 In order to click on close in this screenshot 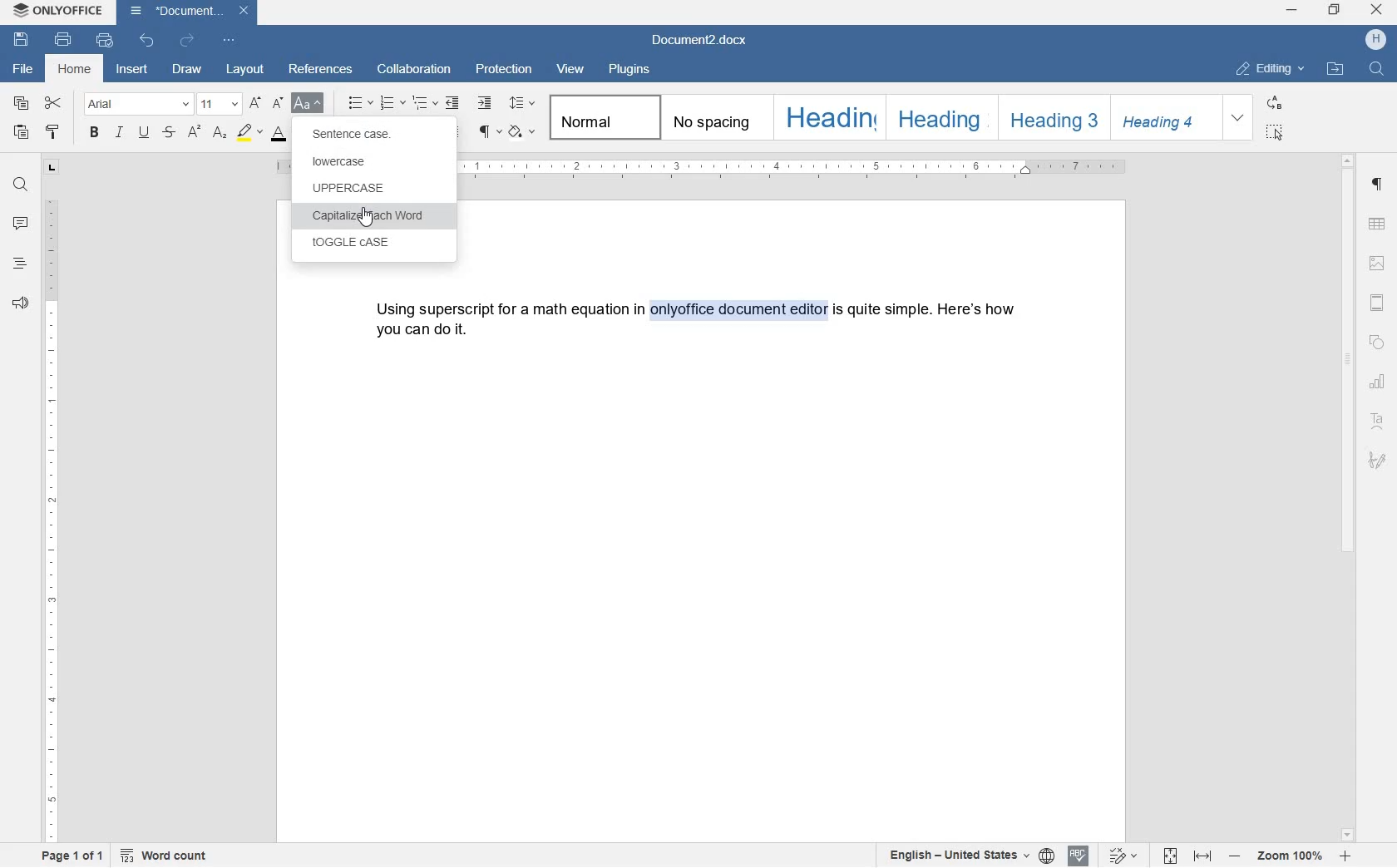, I will do `click(1376, 10)`.